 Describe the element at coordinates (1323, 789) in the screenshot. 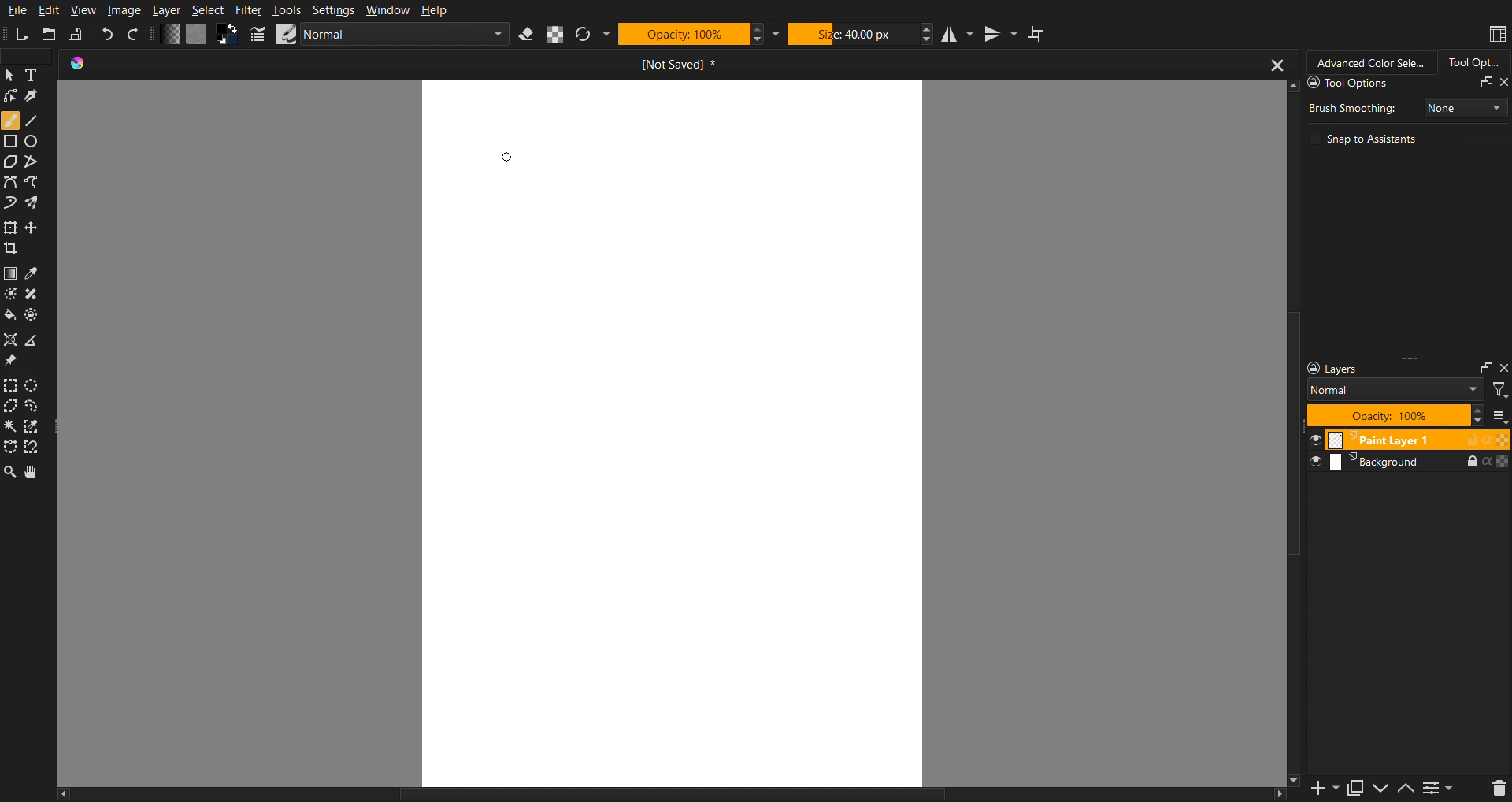

I see `Add Slide` at that location.